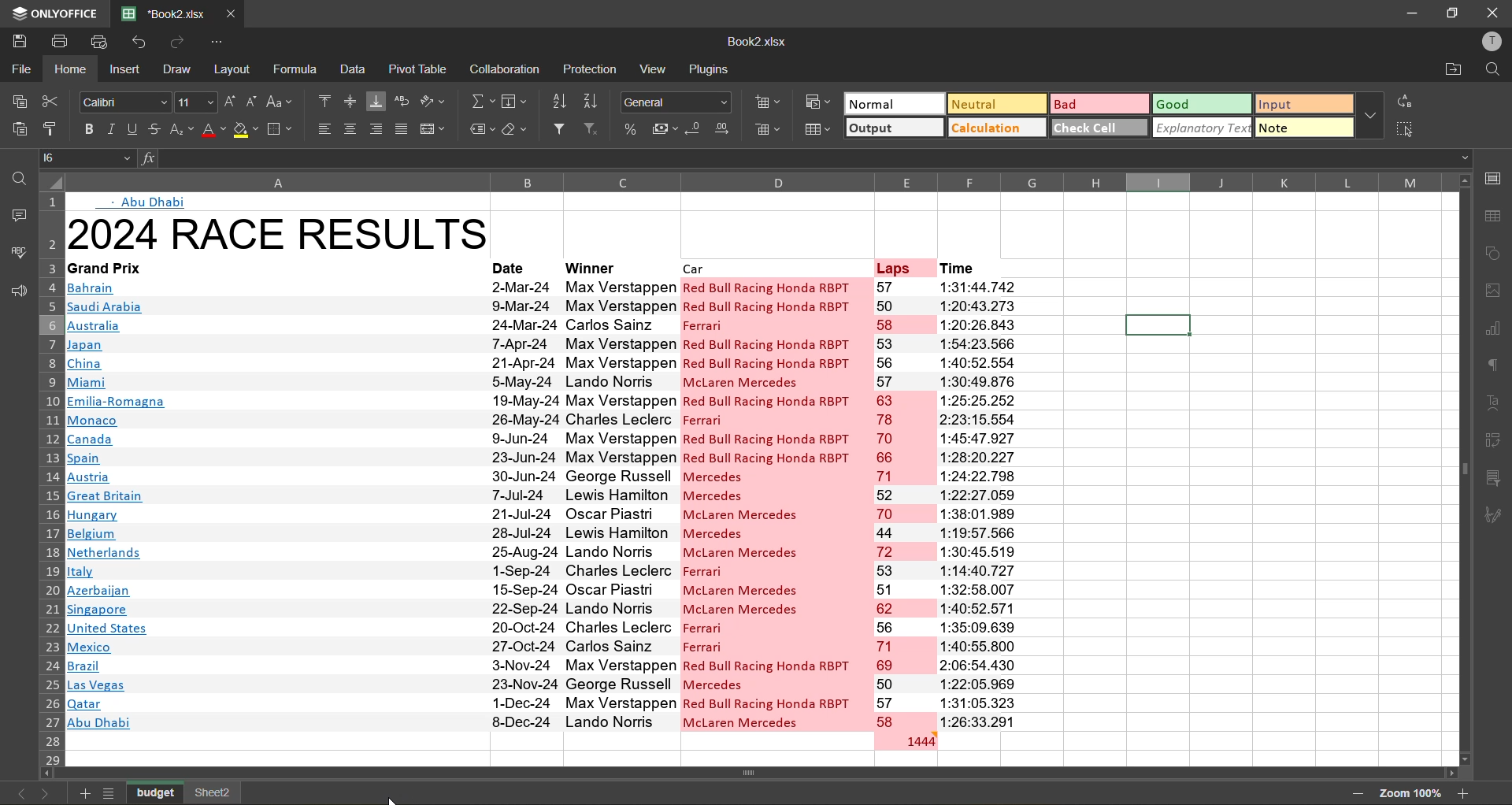 The height and width of the screenshot is (805, 1512). What do you see at coordinates (1304, 128) in the screenshot?
I see `note` at bounding box center [1304, 128].